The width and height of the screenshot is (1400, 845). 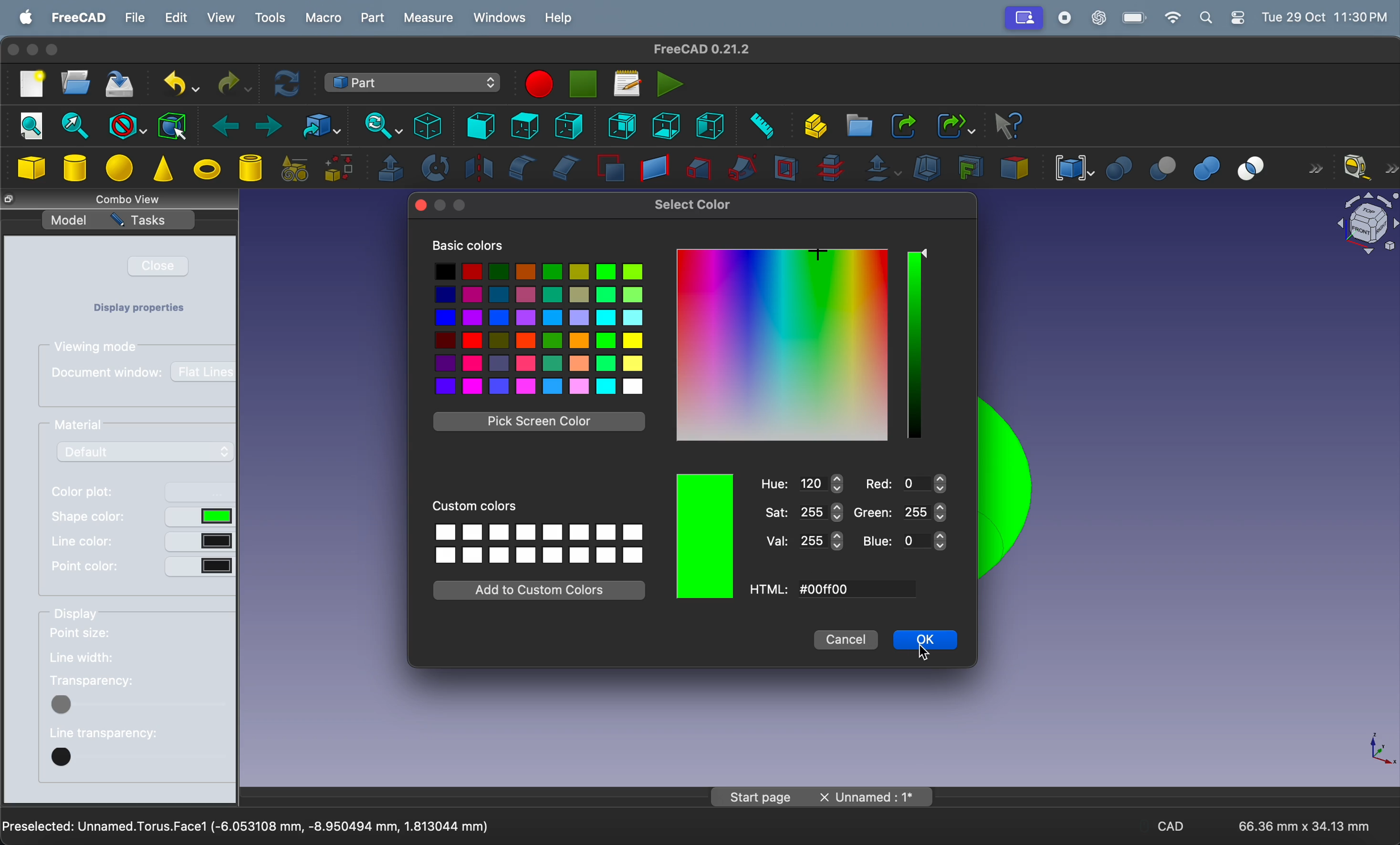 I want to click on button, so click(x=200, y=518).